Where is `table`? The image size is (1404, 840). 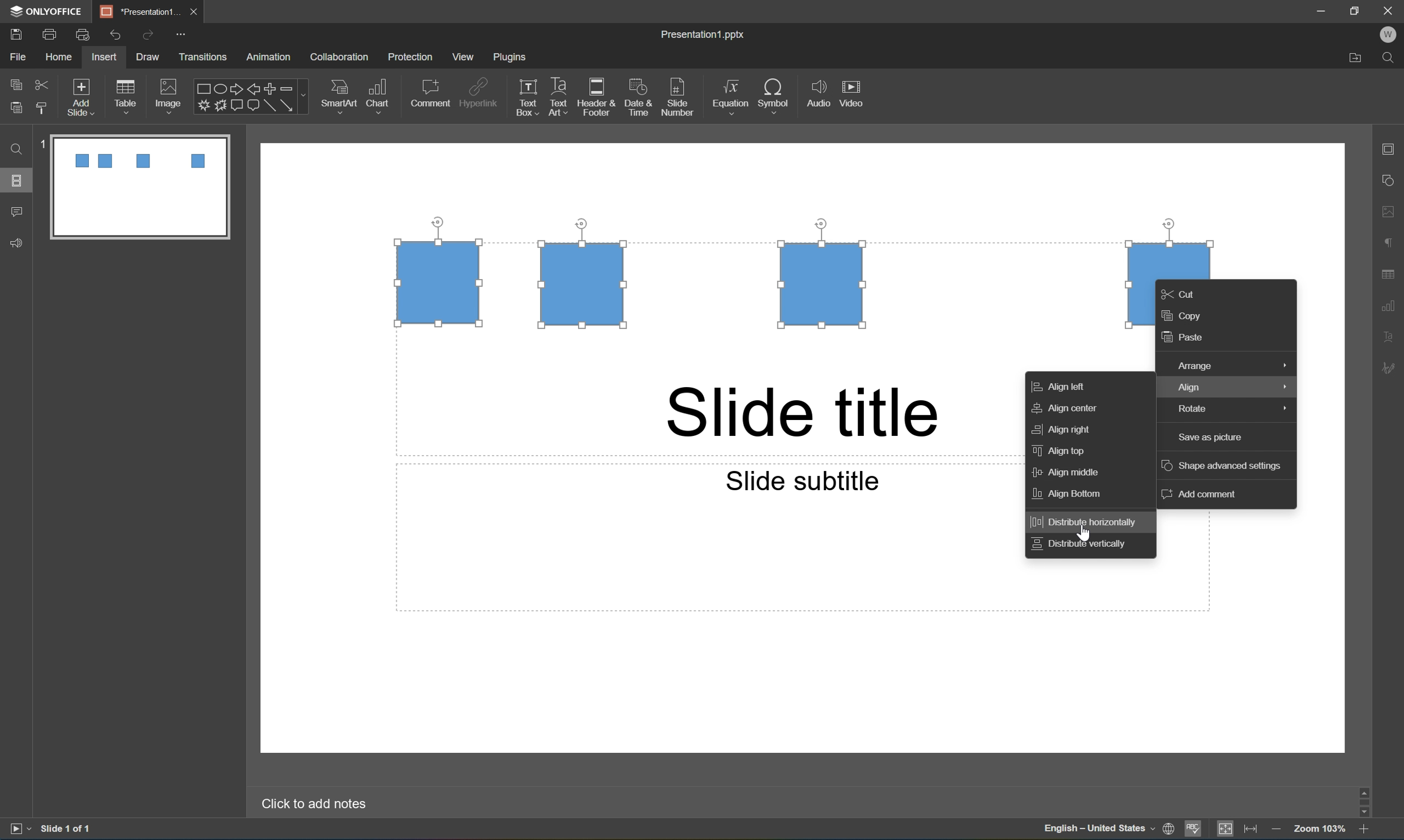
table is located at coordinates (130, 93).